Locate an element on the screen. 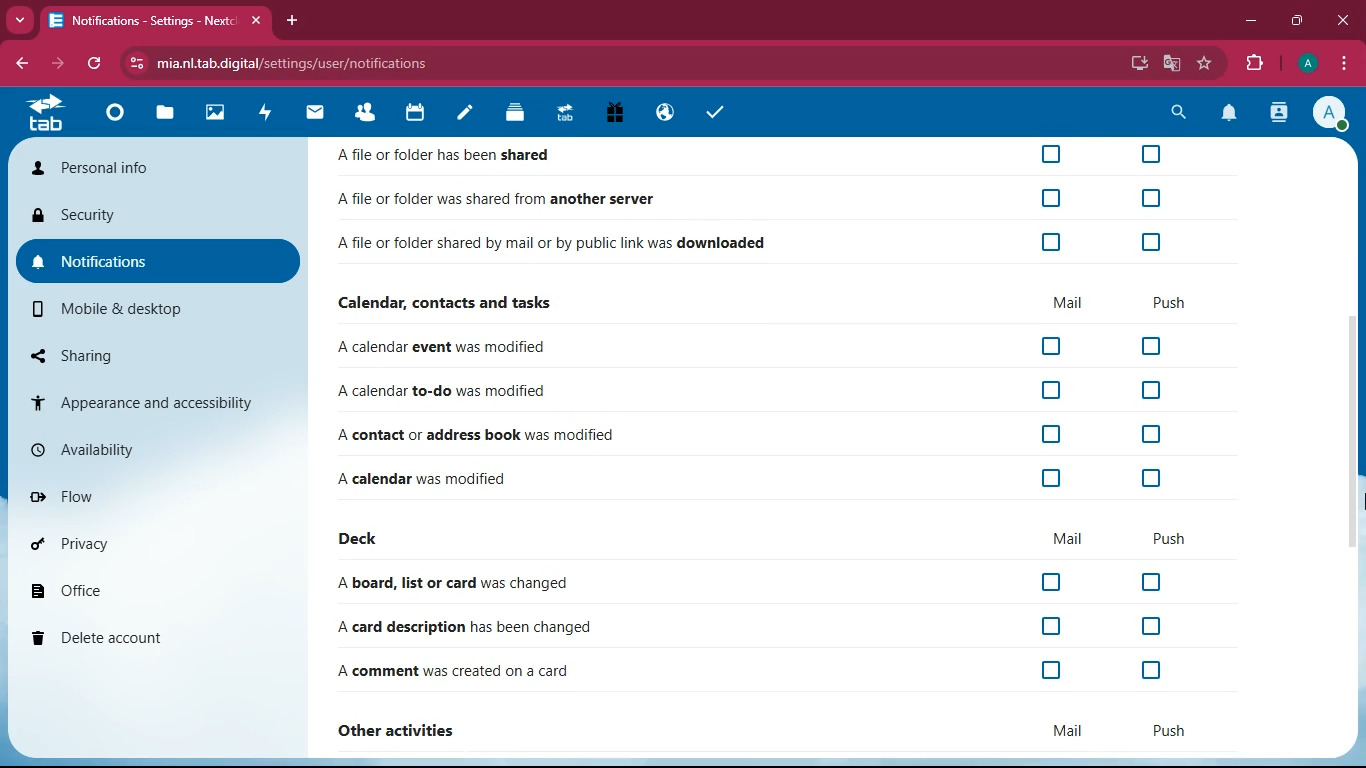 The width and height of the screenshot is (1366, 768). files is located at coordinates (164, 117).